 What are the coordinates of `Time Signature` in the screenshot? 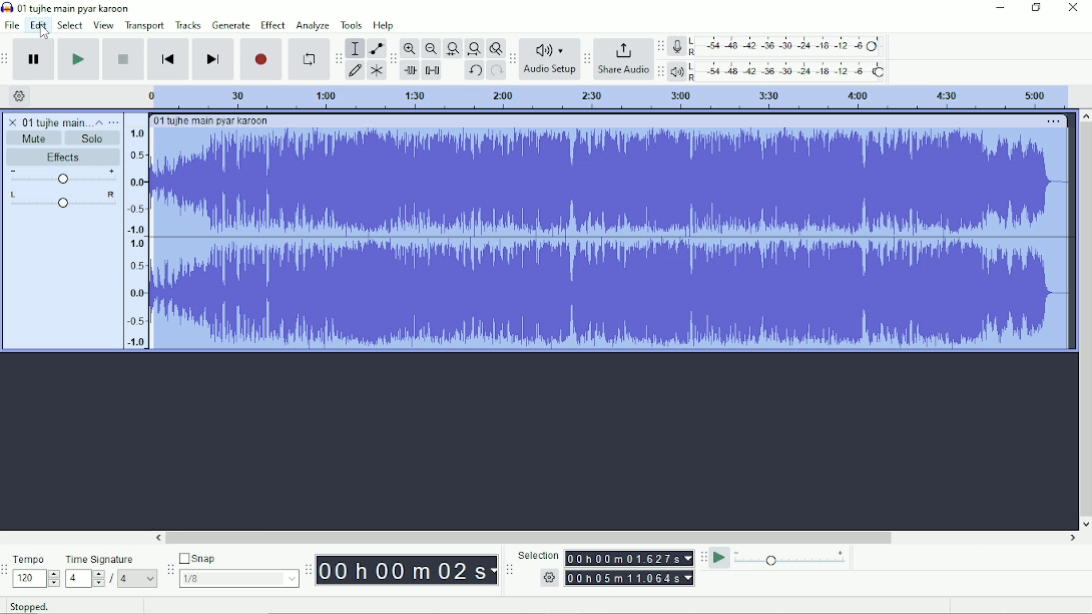 It's located at (101, 560).